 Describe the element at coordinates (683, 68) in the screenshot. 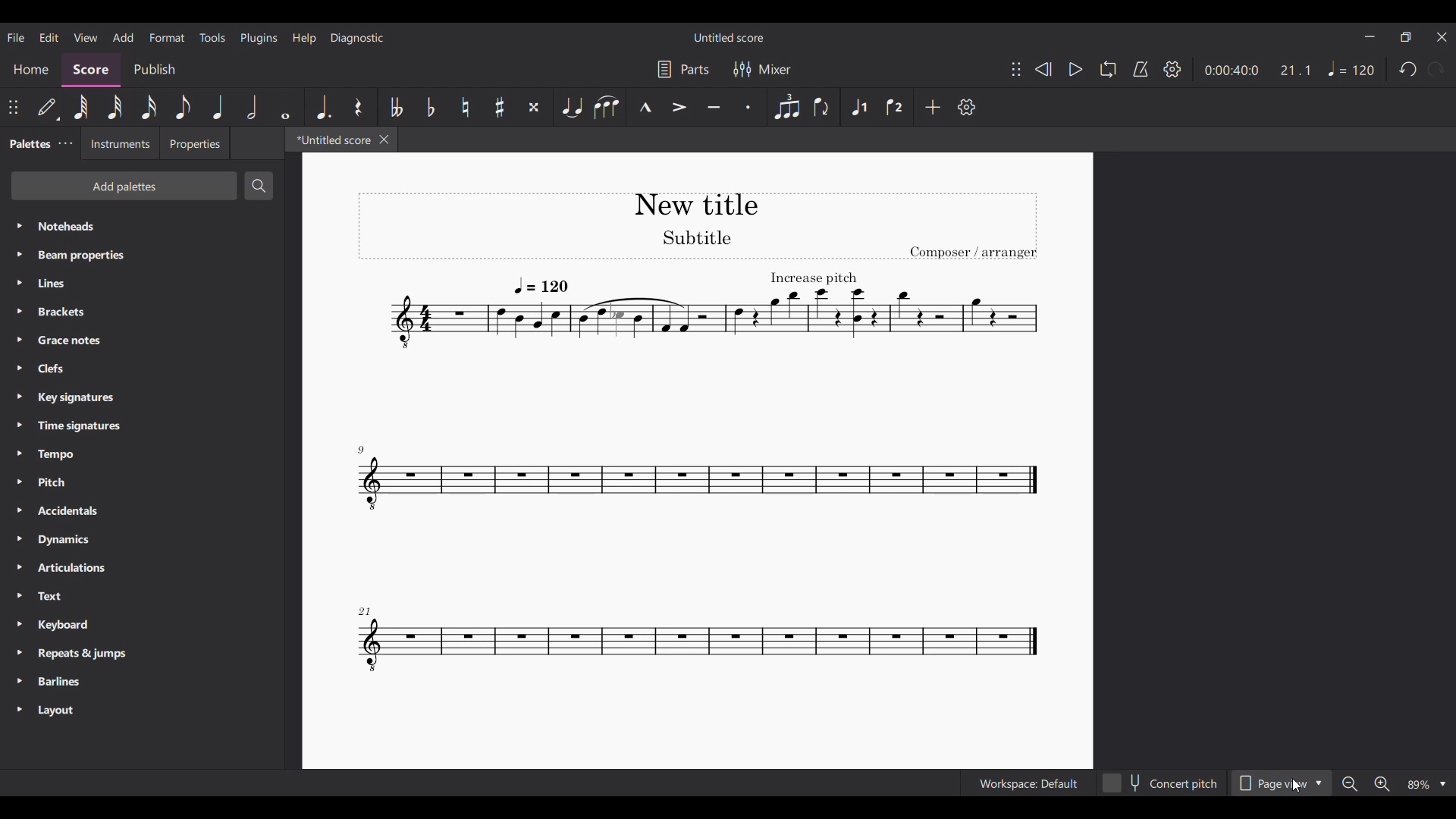

I see `Parts settings` at that location.